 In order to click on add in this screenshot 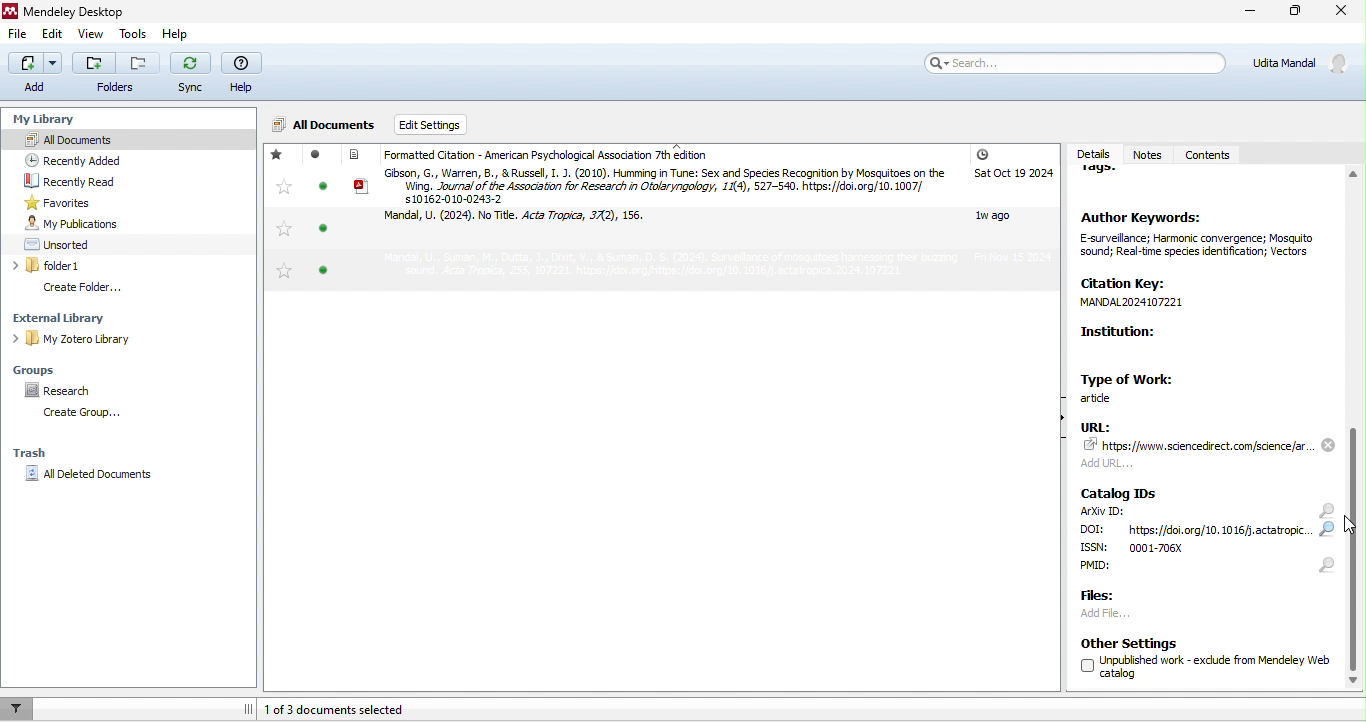, I will do `click(35, 72)`.